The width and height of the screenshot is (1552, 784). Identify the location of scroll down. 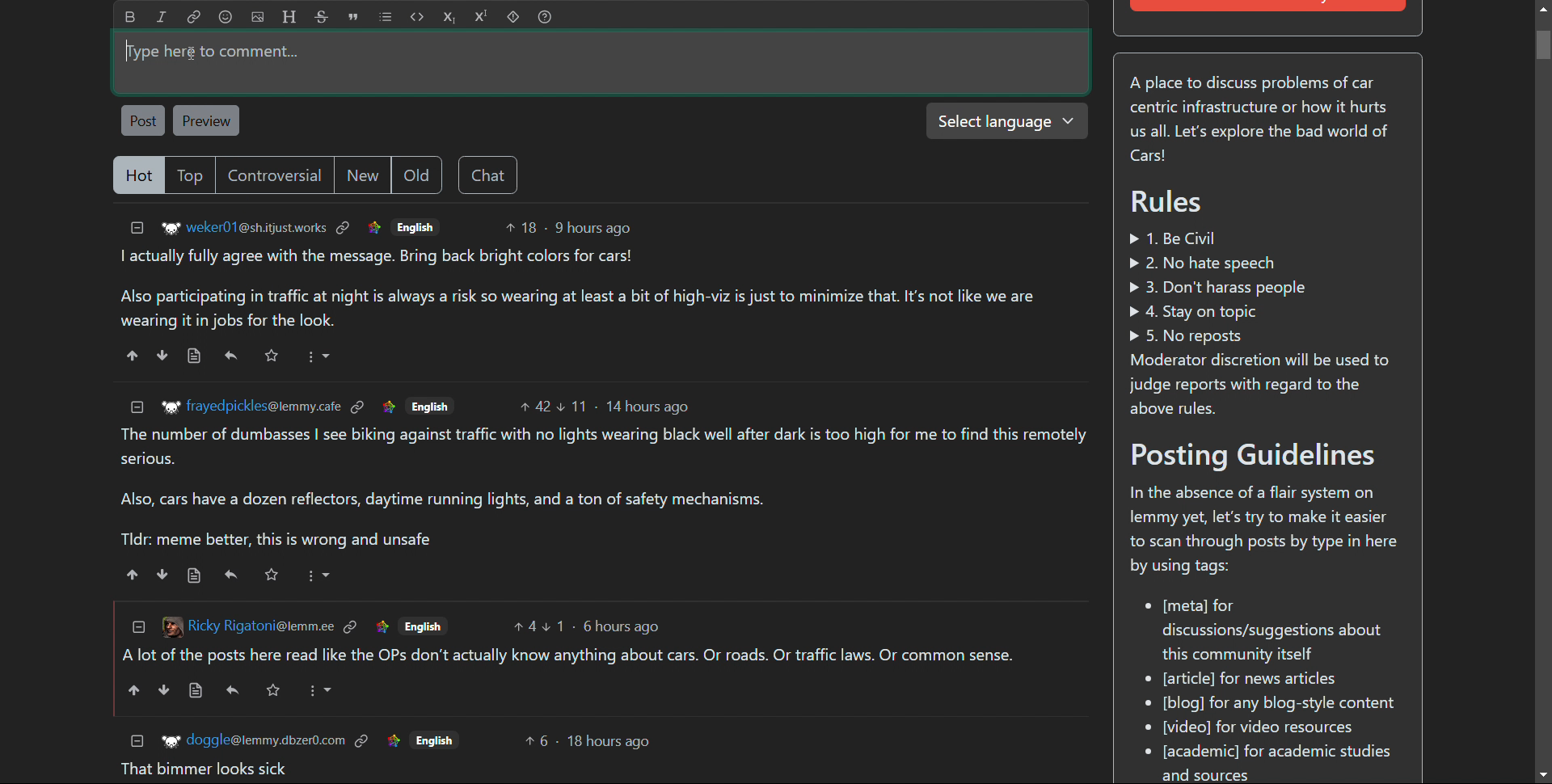
(1542, 775).